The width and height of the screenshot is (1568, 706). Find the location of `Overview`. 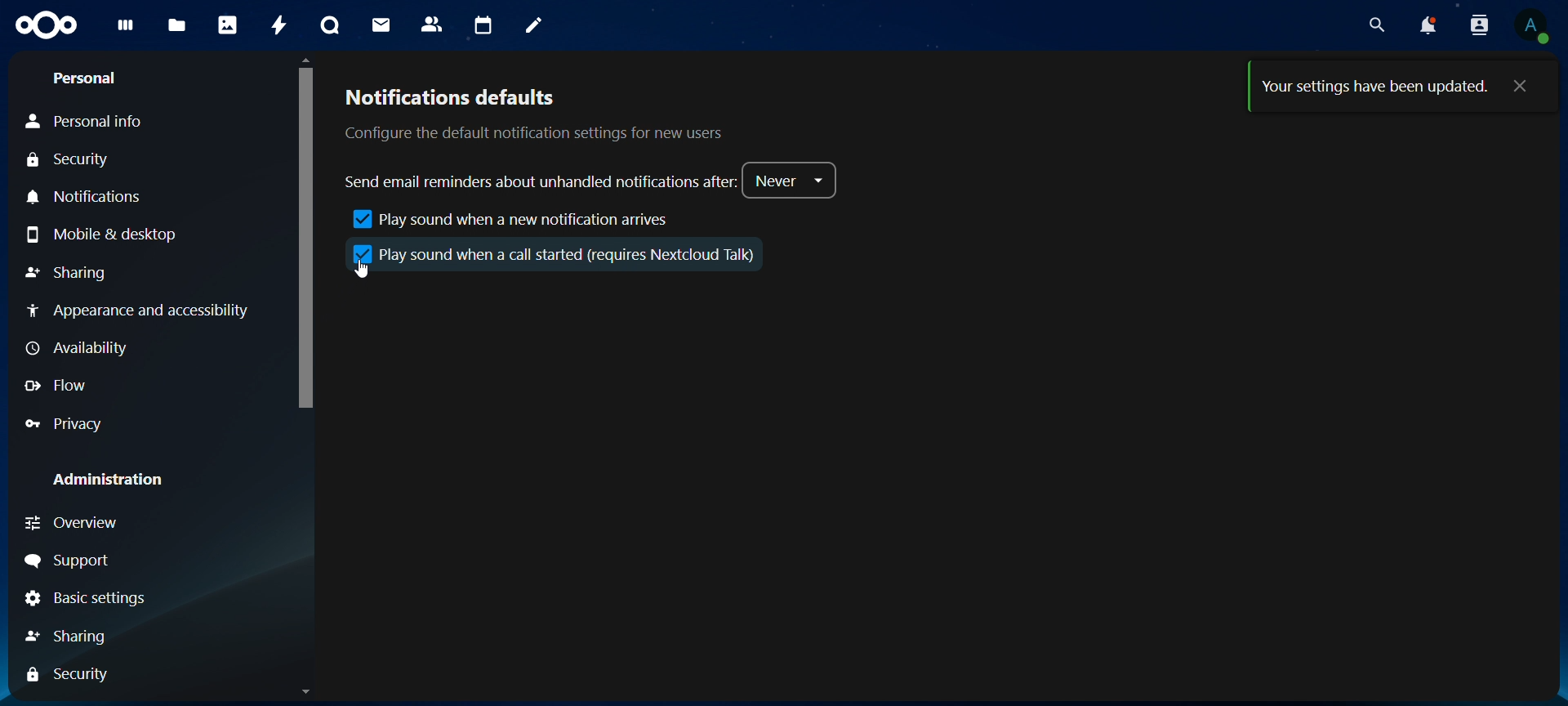

Overview is located at coordinates (70, 525).